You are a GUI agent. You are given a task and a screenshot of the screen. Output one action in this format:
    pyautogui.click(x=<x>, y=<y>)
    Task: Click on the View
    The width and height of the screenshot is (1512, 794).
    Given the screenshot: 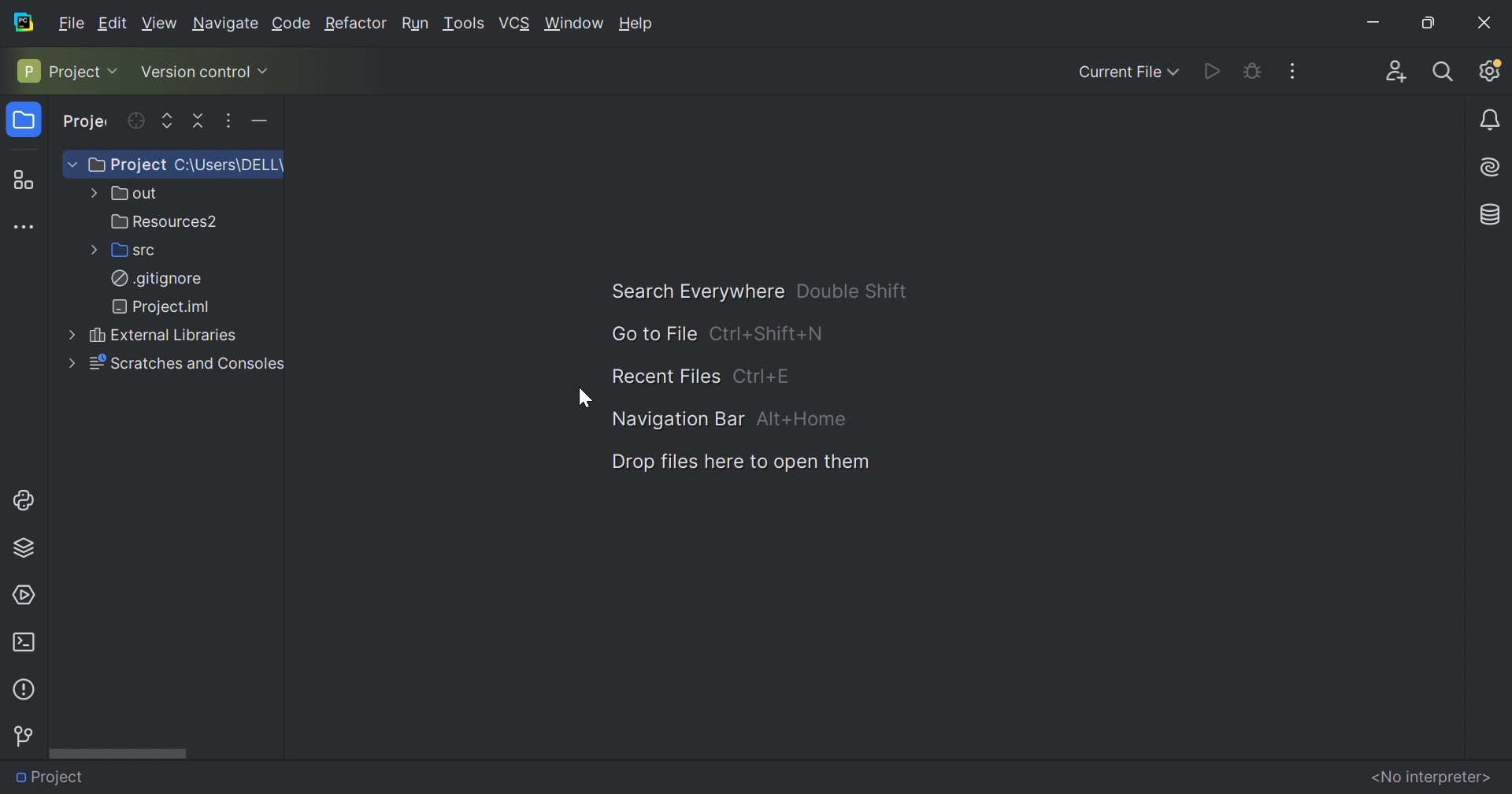 What is the action you would take?
    pyautogui.click(x=159, y=23)
    